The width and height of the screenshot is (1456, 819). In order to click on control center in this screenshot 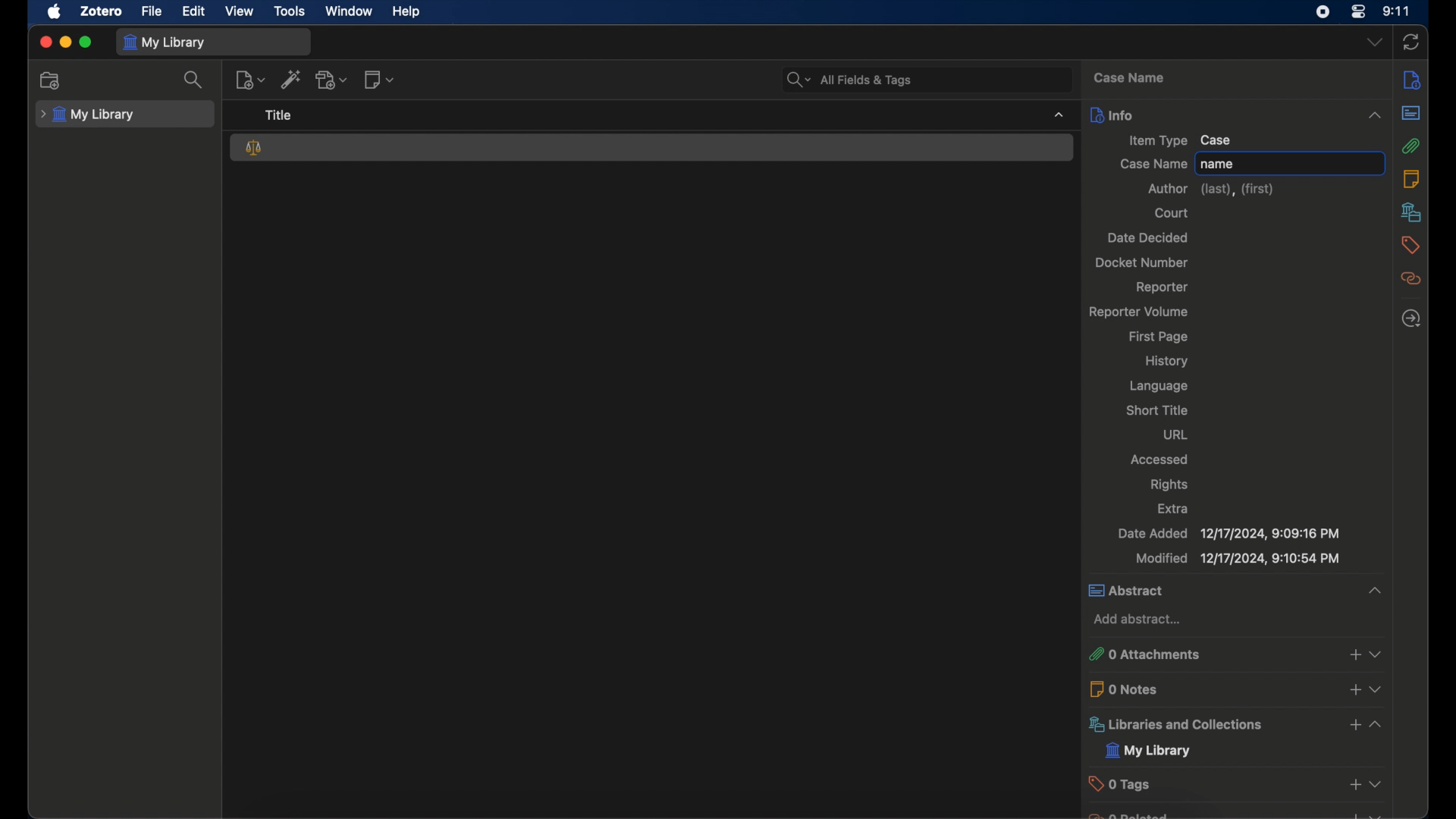, I will do `click(1359, 11)`.